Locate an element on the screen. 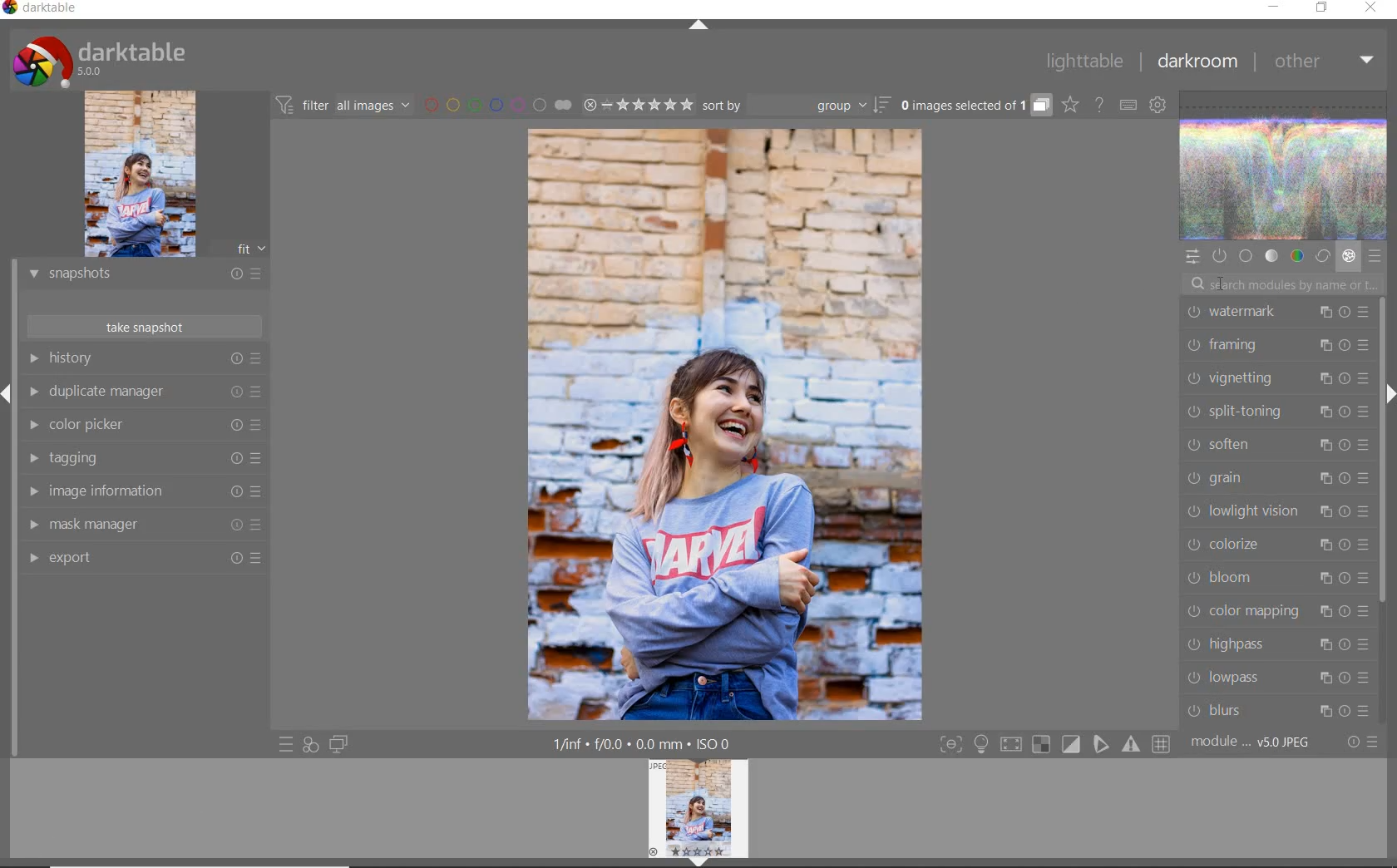  waveform is located at coordinates (1285, 164).